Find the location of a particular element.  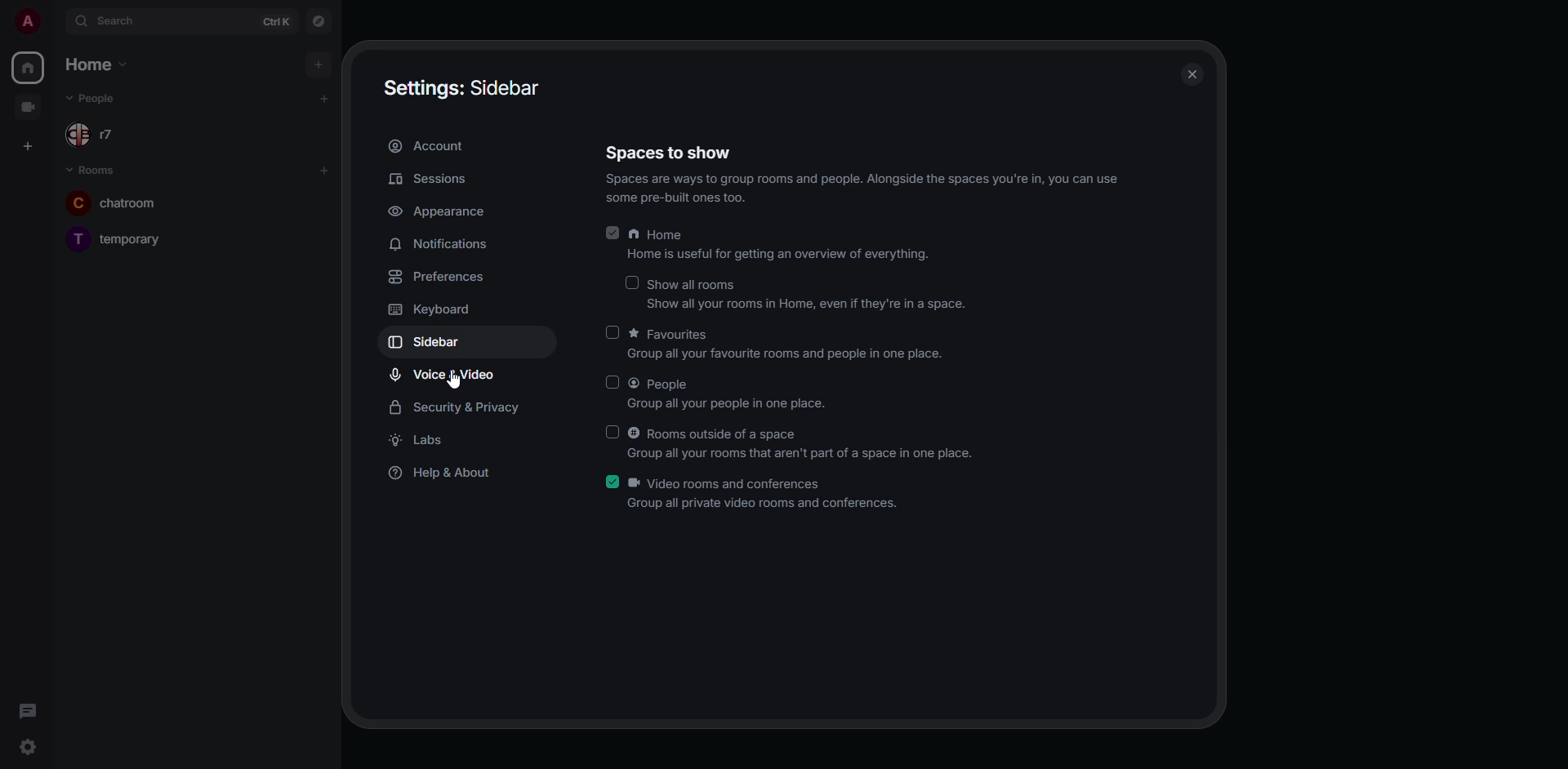

favorites is located at coordinates (791, 345).